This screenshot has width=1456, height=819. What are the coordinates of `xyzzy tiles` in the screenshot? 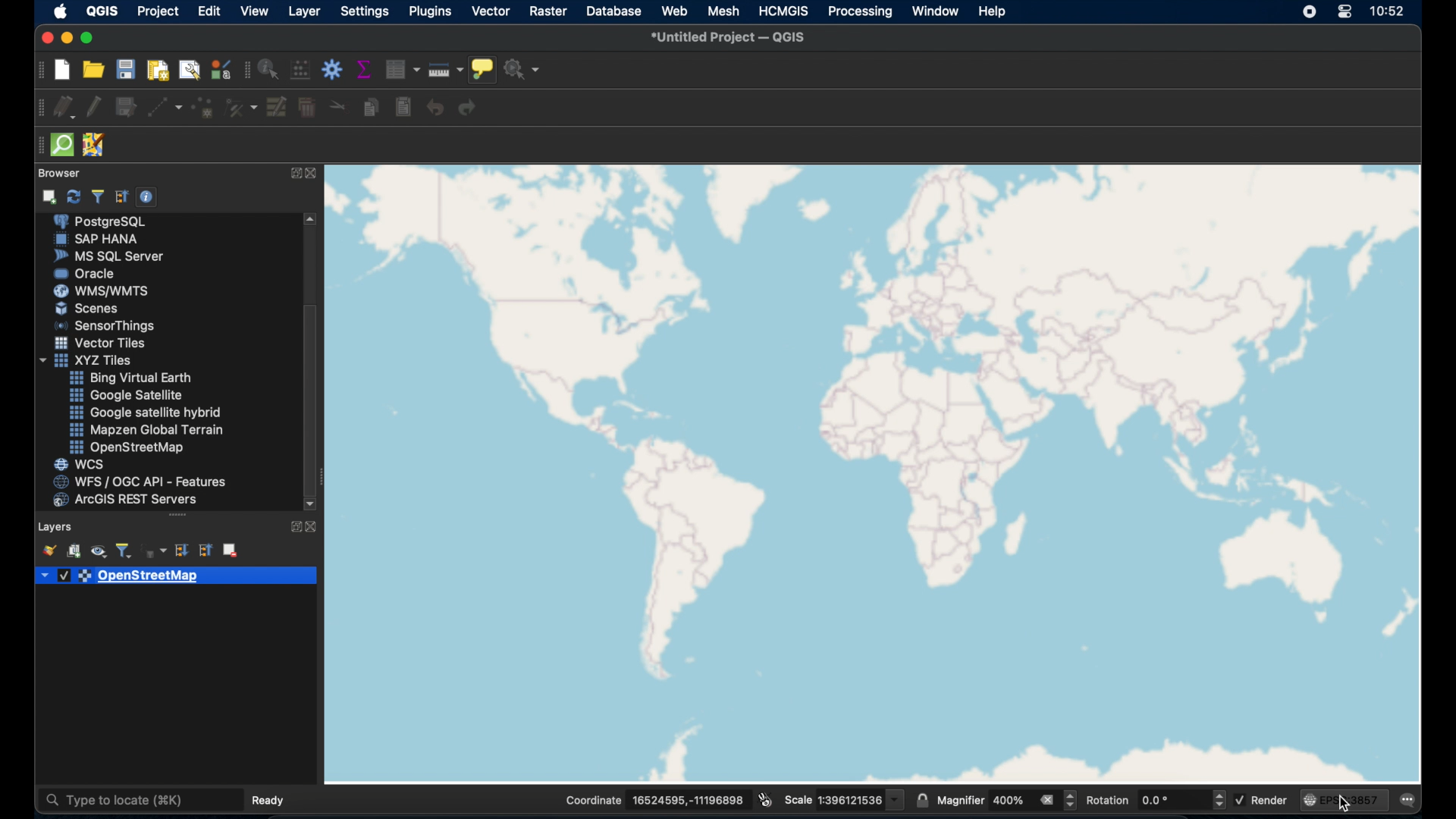 It's located at (85, 360).